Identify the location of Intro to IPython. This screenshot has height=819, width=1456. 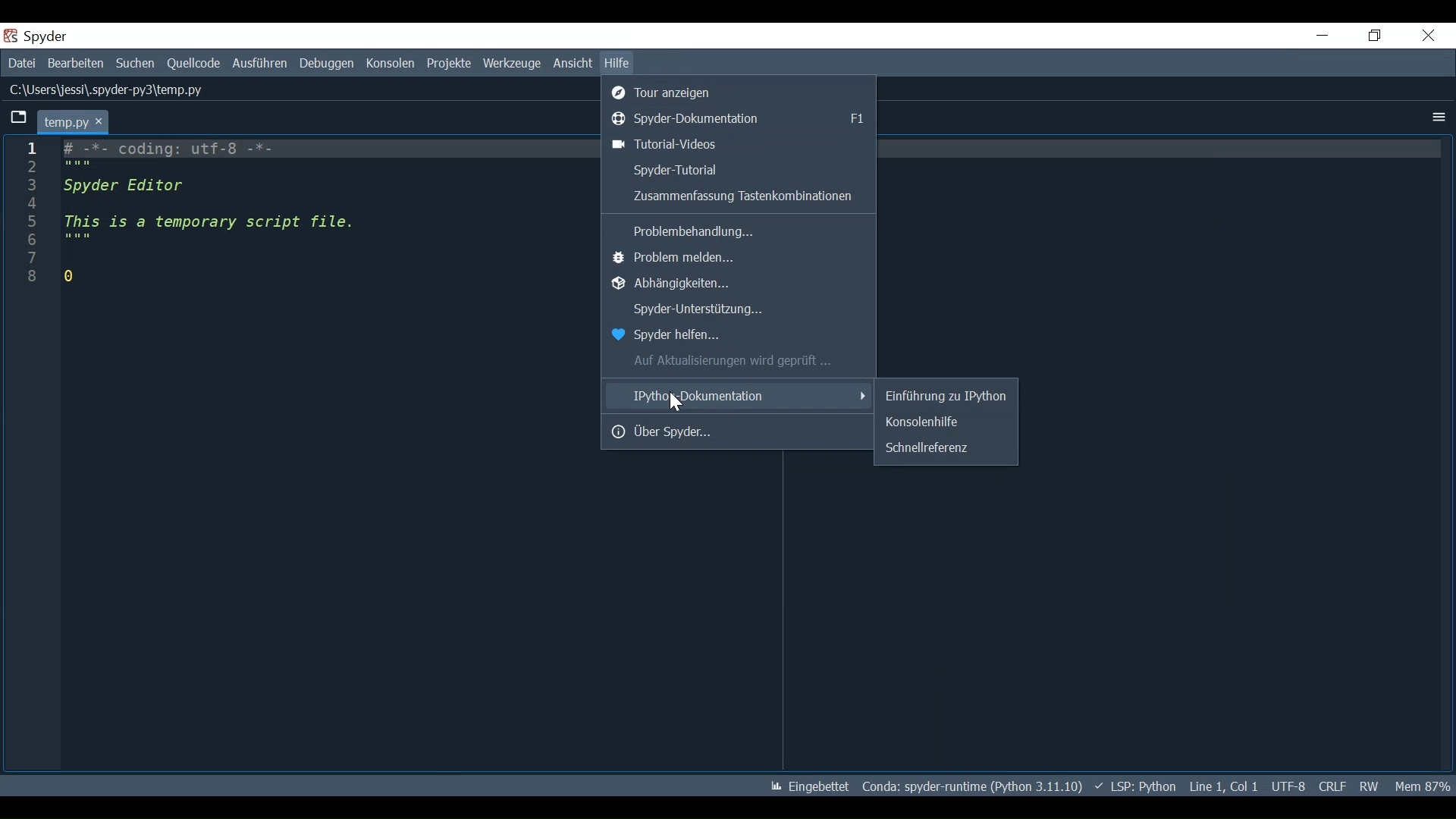
(946, 396).